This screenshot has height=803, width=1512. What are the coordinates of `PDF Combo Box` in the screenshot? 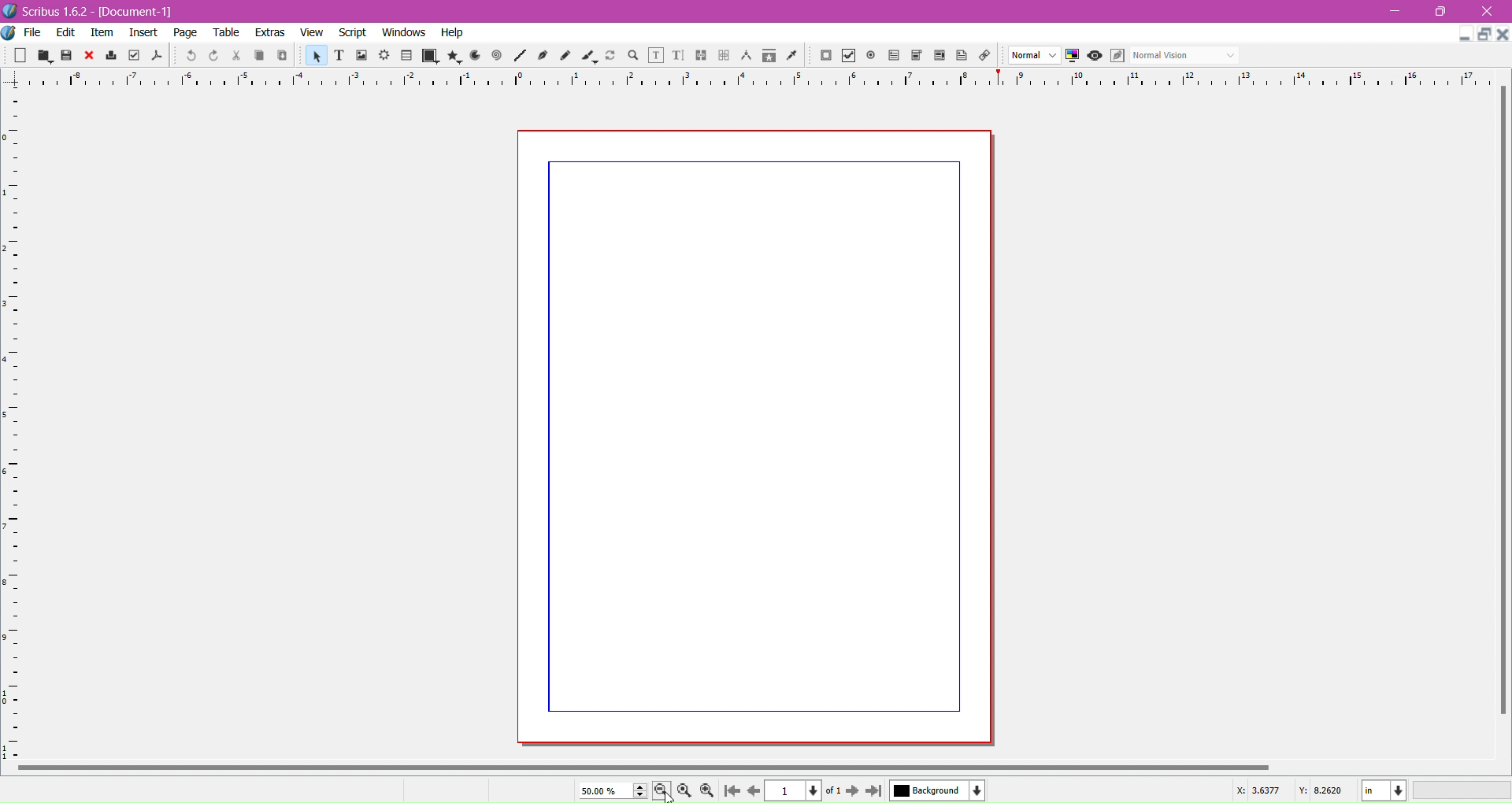 It's located at (917, 55).